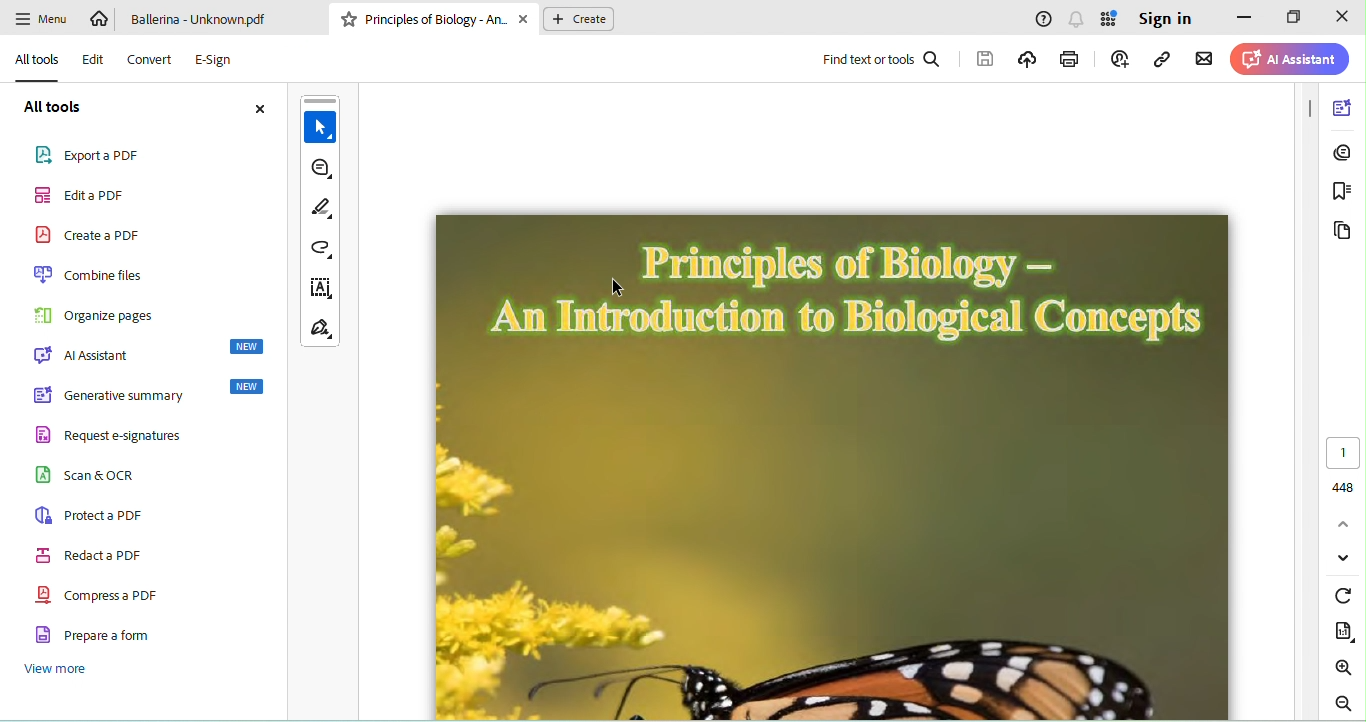  I want to click on select text, so click(319, 121).